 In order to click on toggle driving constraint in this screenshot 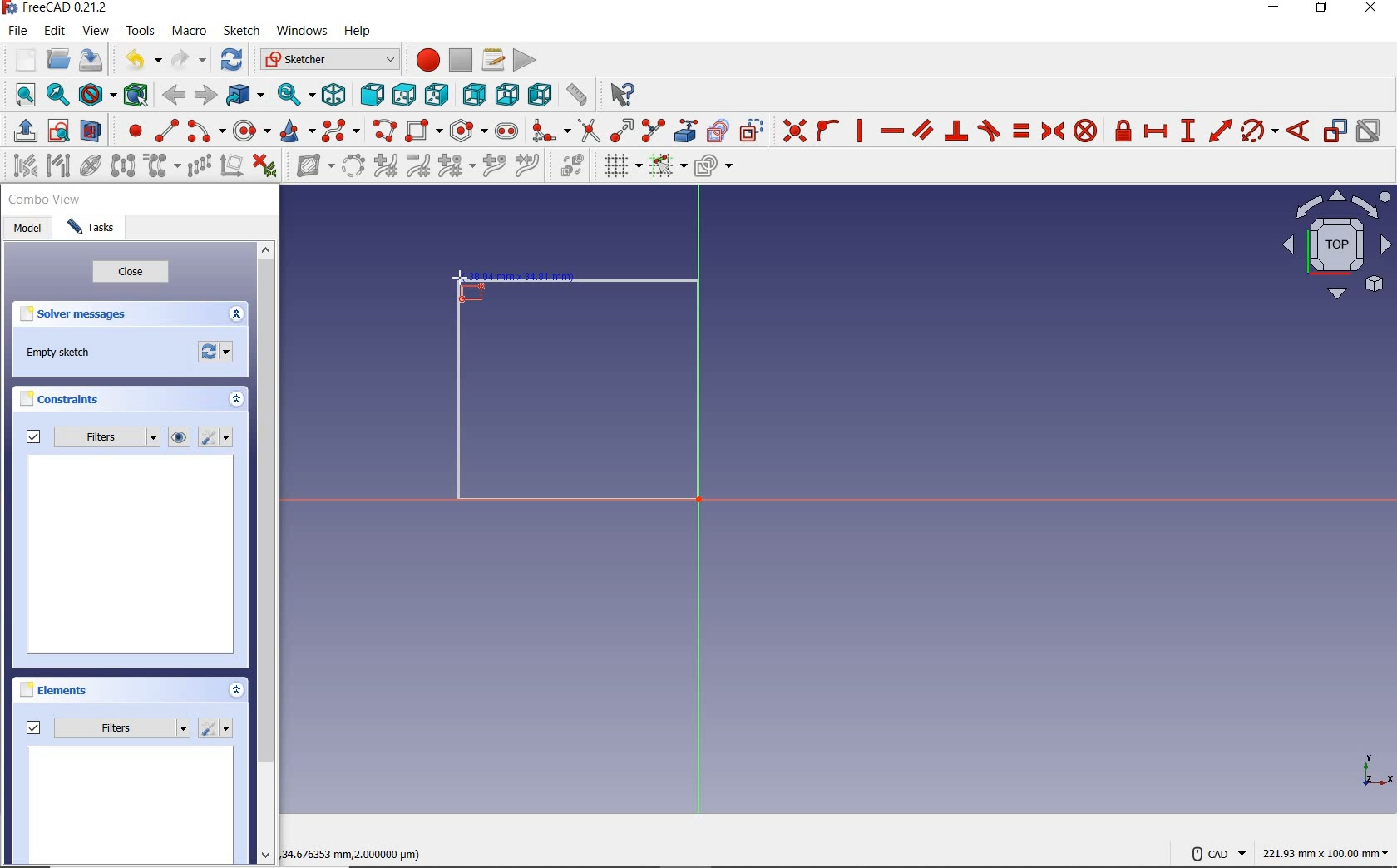, I will do `click(1335, 131)`.